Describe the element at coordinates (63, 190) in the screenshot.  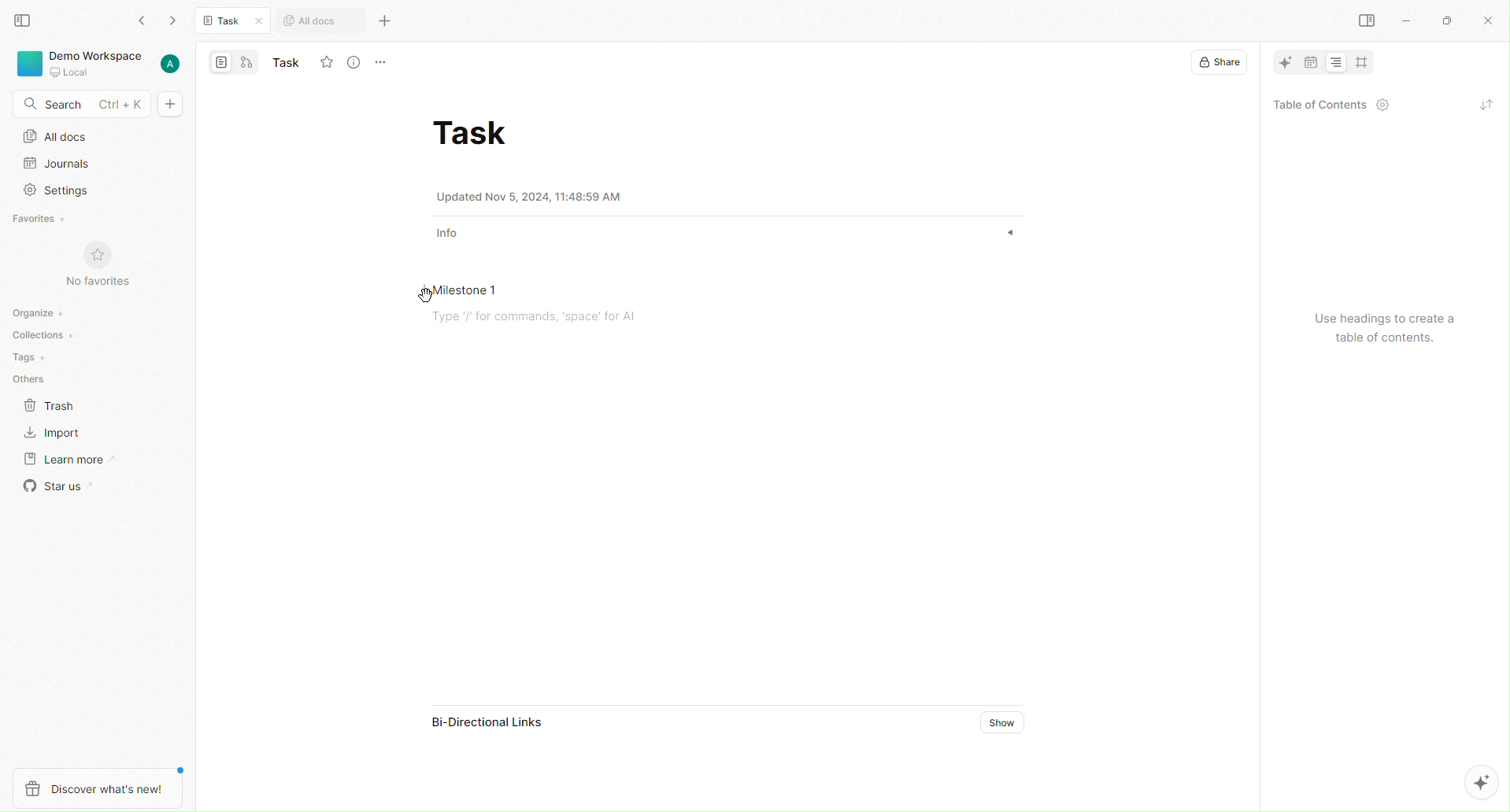
I see `Settings` at that location.